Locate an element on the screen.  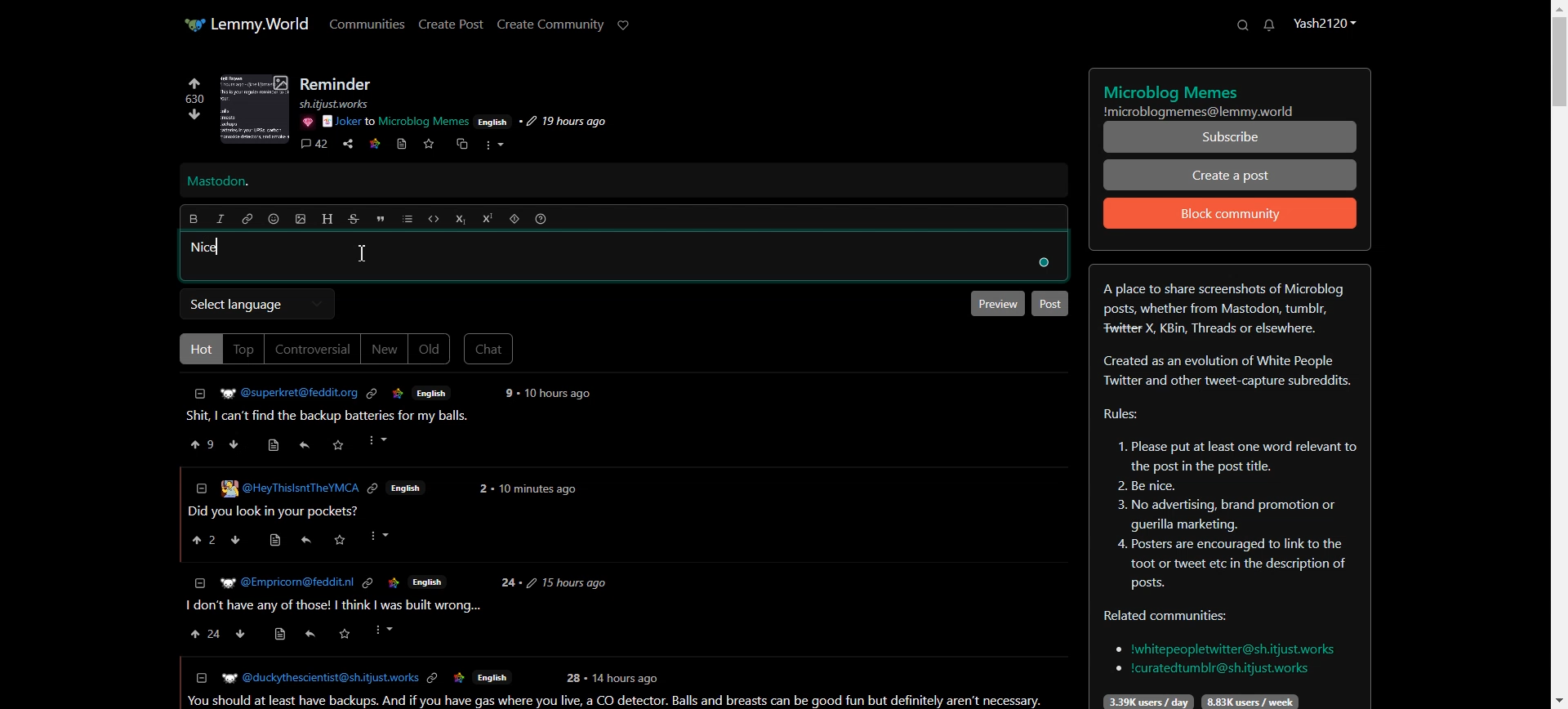
 is located at coordinates (562, 122).